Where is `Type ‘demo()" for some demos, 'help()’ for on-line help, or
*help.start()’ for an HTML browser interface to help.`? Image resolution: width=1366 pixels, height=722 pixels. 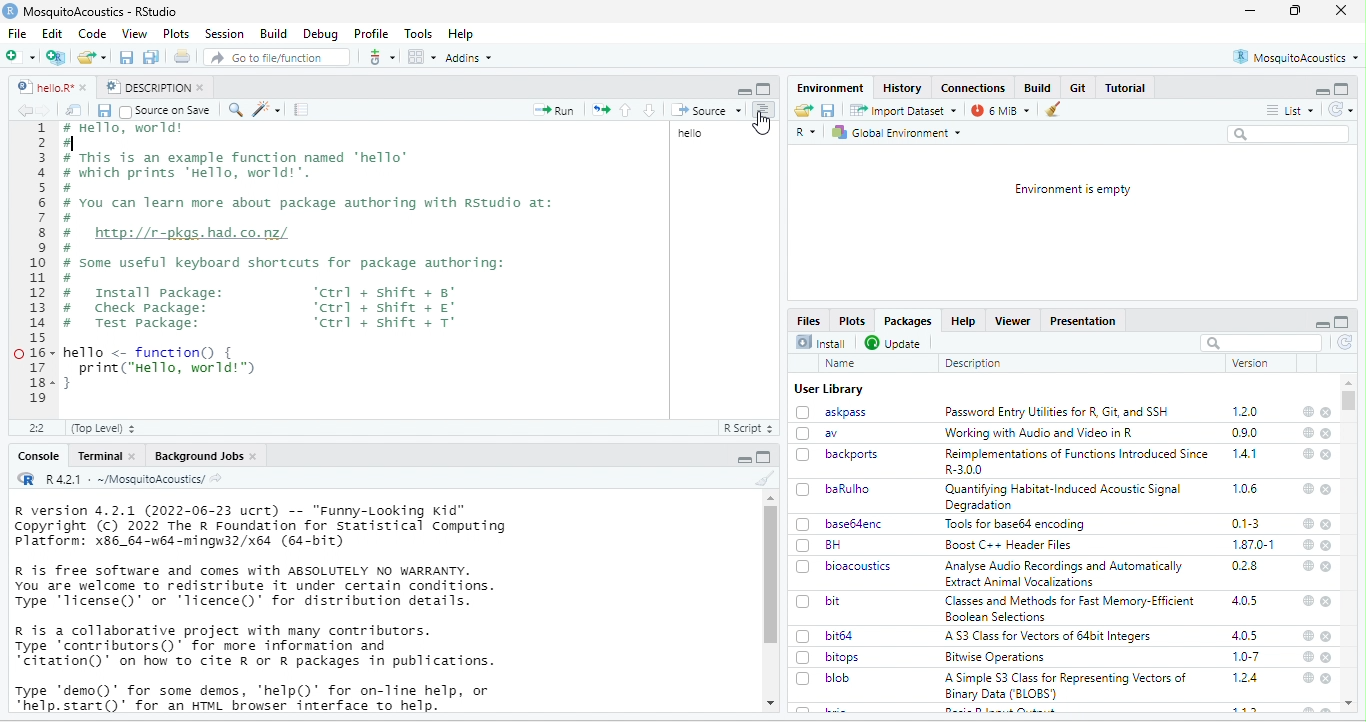
Type ‘demo()" for some demos, 'help()’ for on-line help, or
*help.start()’ for an HTML browser interface to help. is located at coordinates (256, 697).